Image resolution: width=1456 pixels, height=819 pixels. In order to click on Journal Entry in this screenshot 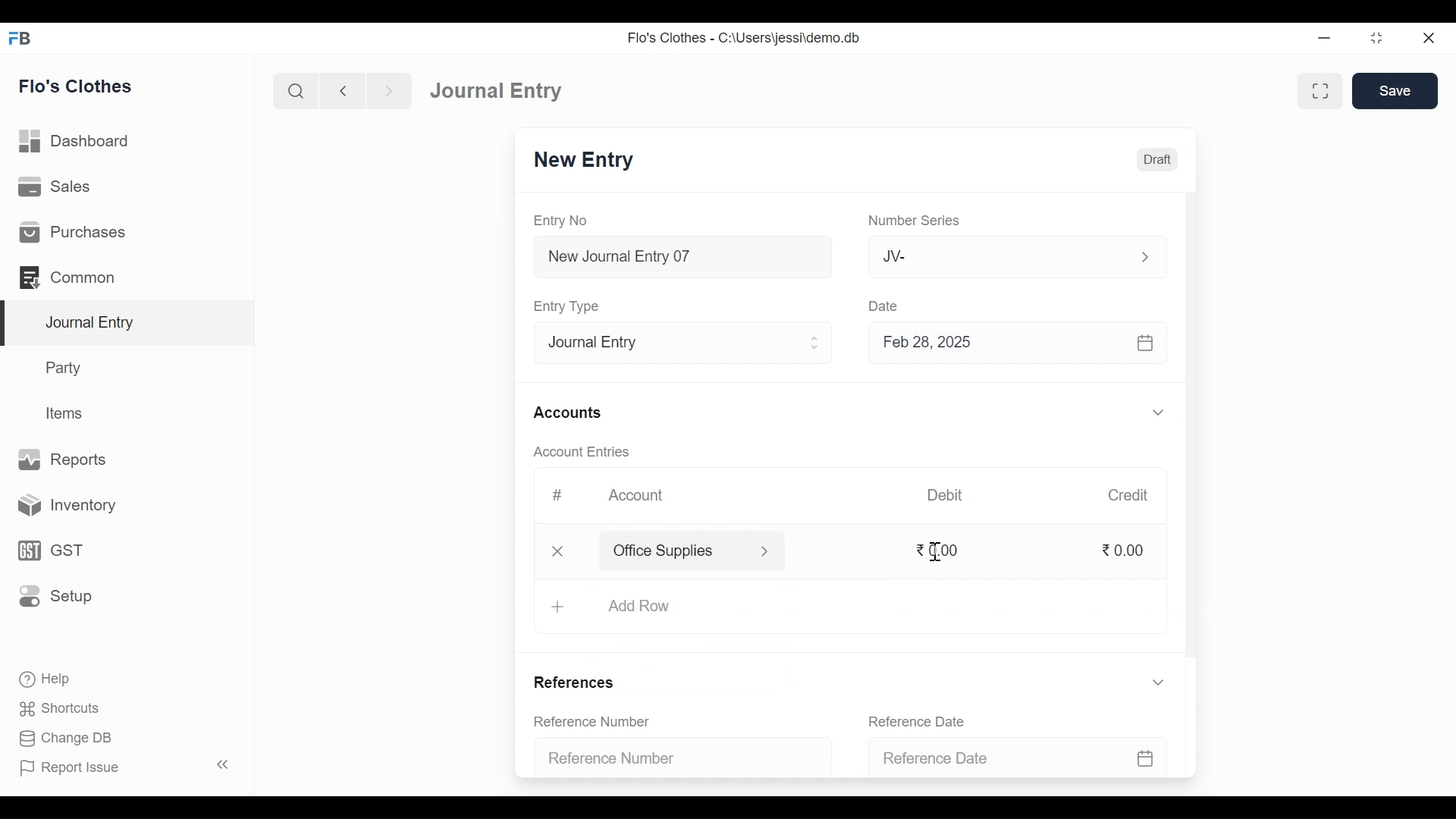, I will do `click(130, 324)`.